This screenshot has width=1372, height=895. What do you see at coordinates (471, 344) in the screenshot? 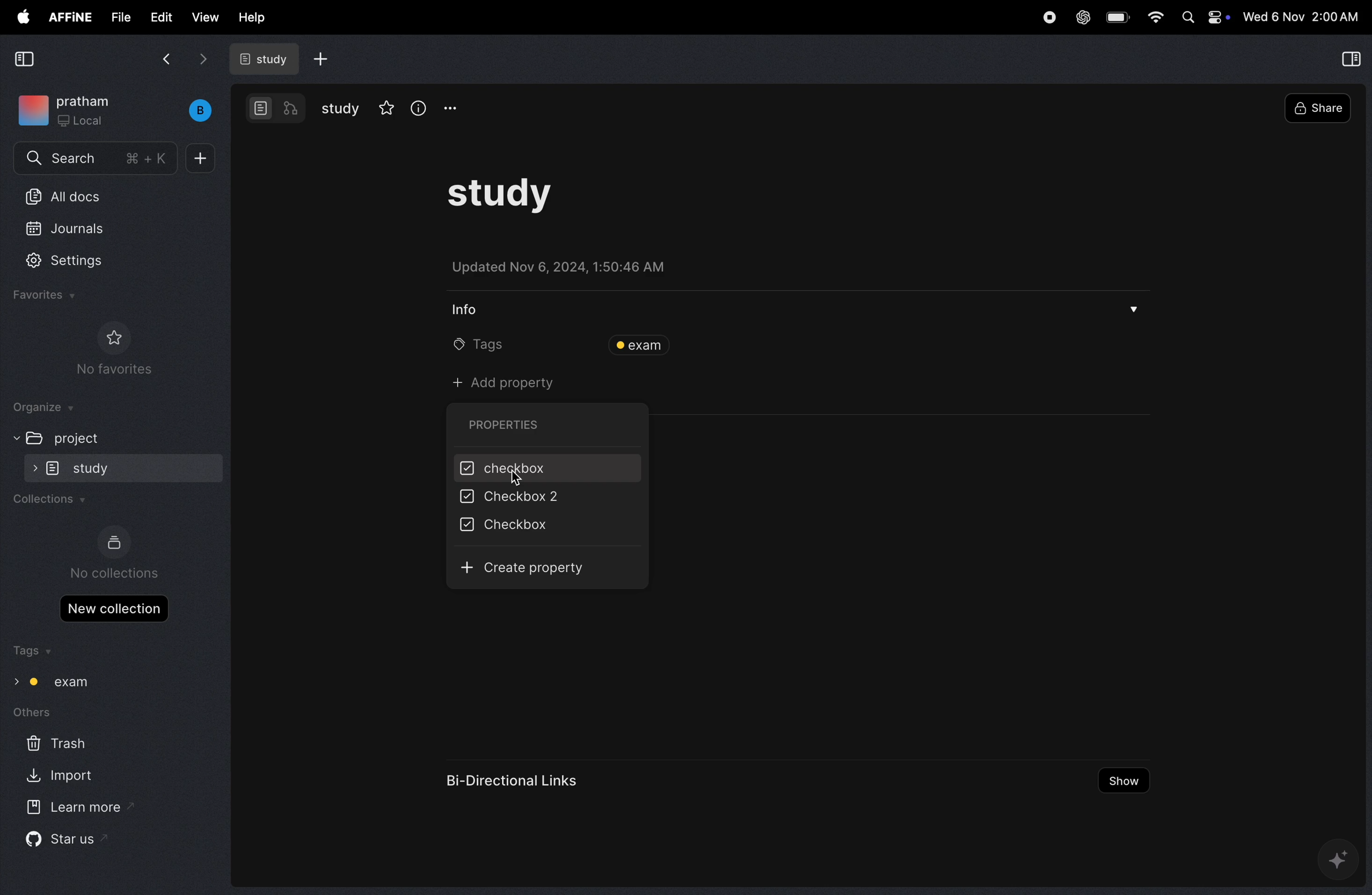
I see `tags` at bounding box center [471, 344].